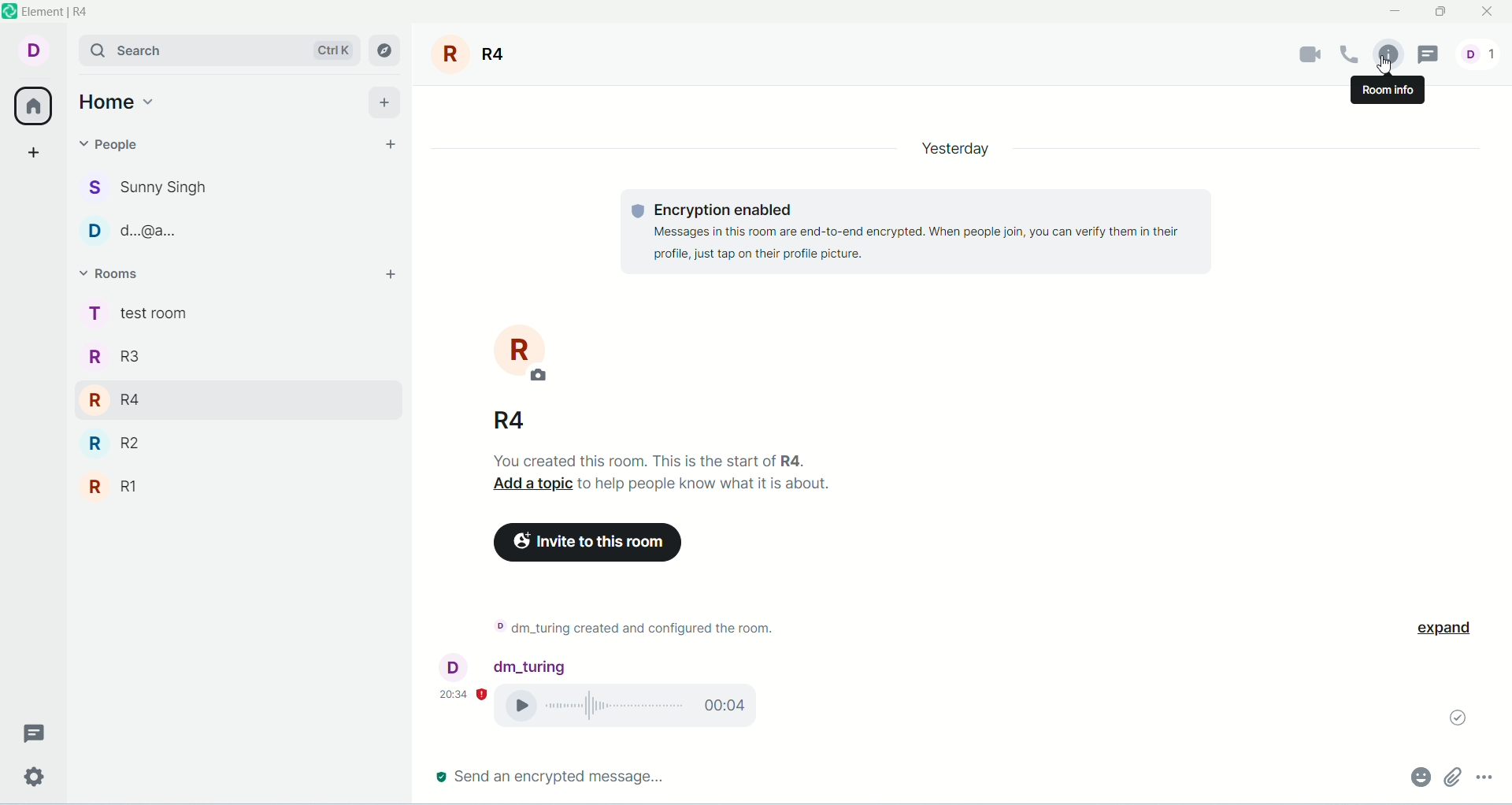 The height and width of the screenshot is (805, 1512). Describe the element at coordinates (636, 708) in the screenshot. I see `voice call` at that location.